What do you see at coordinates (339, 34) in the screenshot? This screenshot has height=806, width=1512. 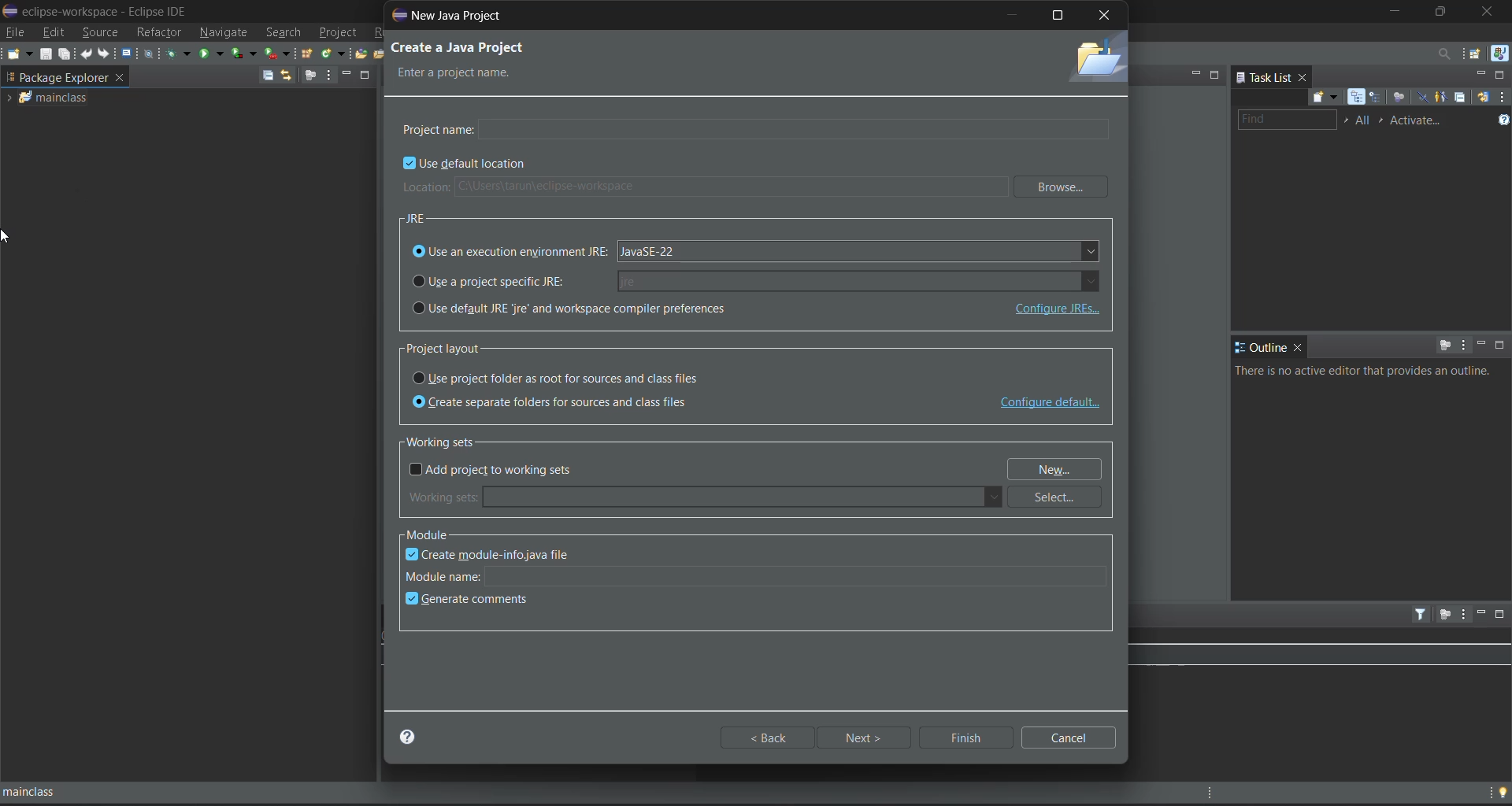 I see `project` at bounding box center [339, 34].